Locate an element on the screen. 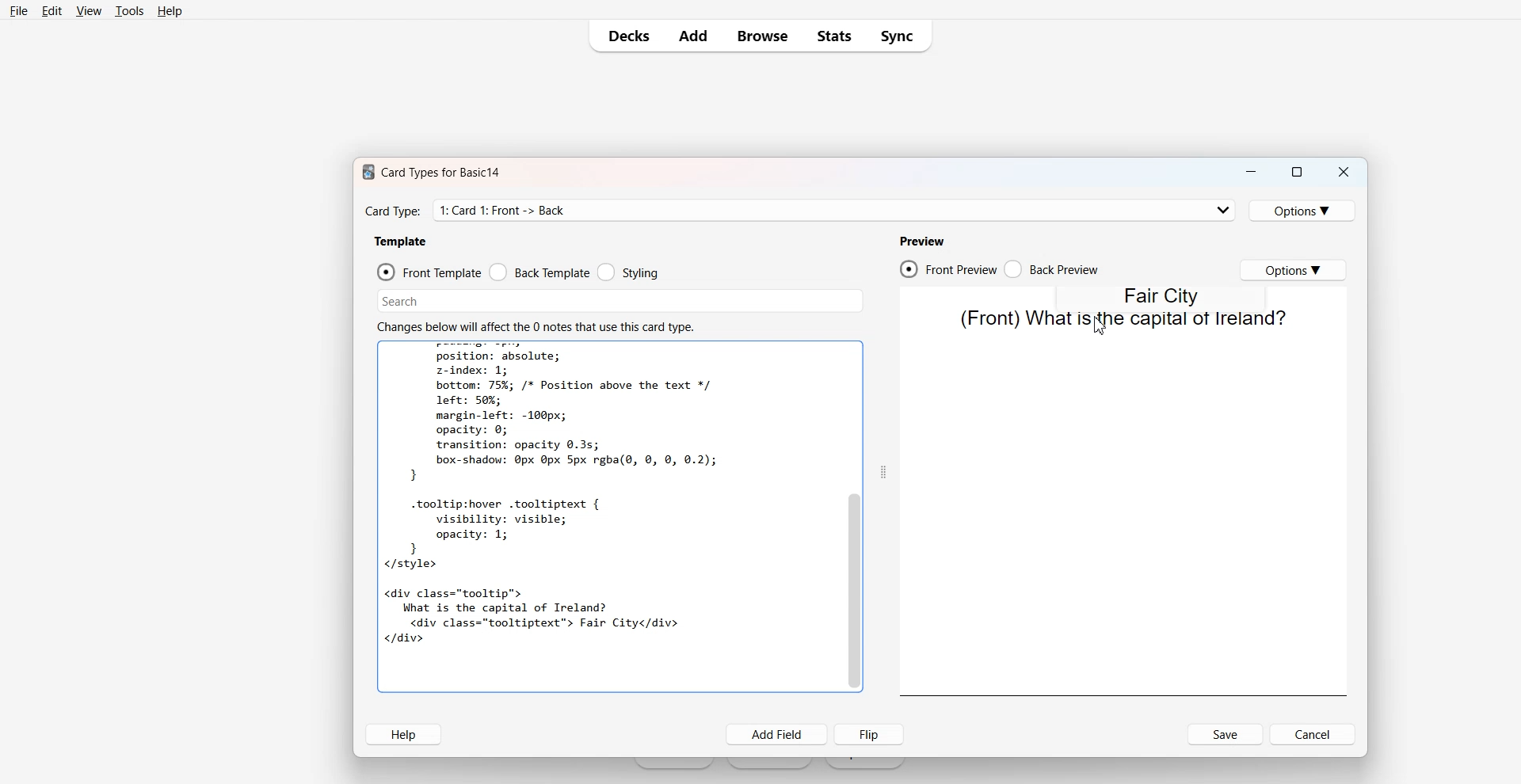 The image size is (1521, 784). Add Field is located at coordinates (778, 735).